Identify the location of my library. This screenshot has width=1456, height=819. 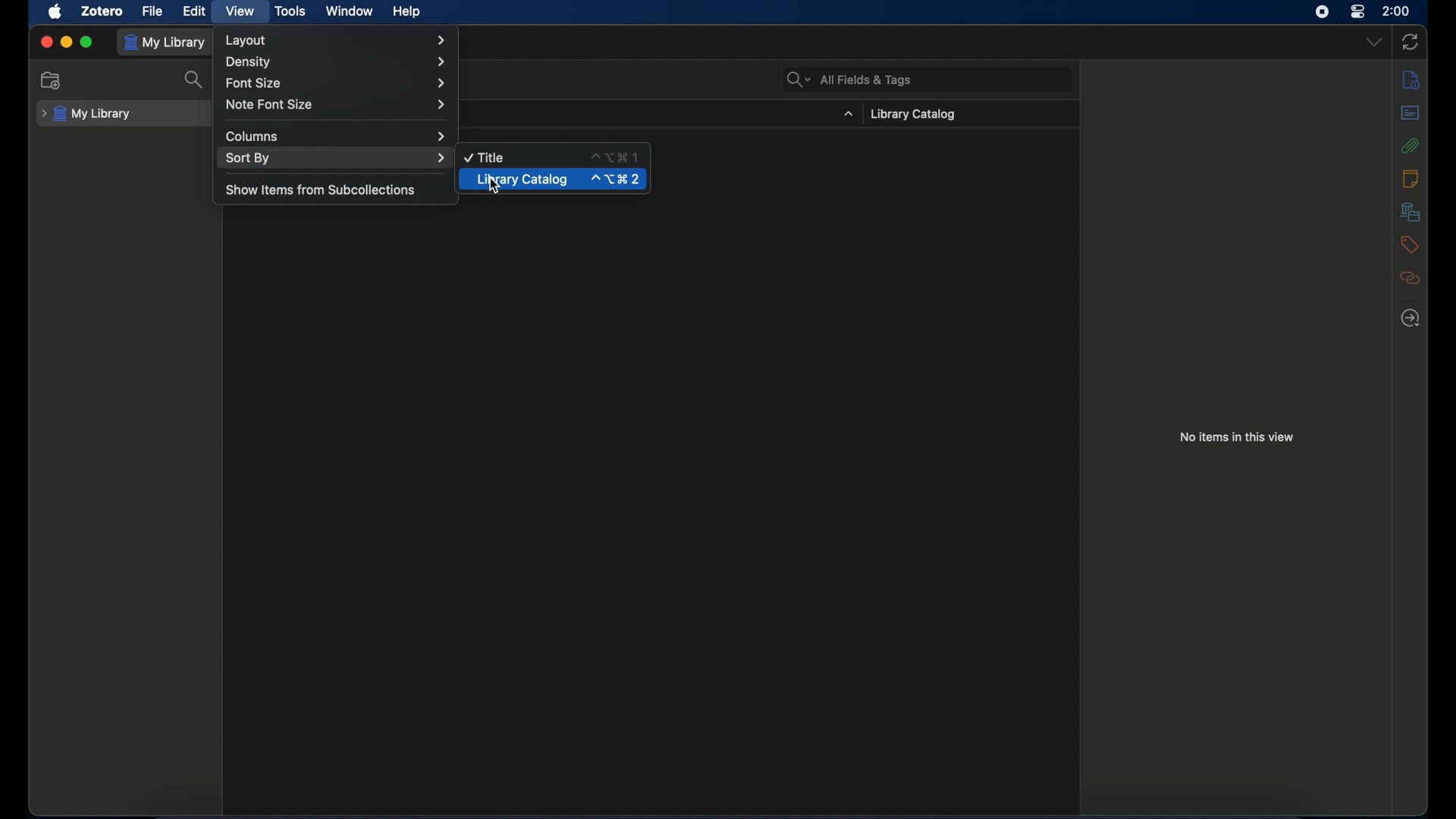
(86, 115).